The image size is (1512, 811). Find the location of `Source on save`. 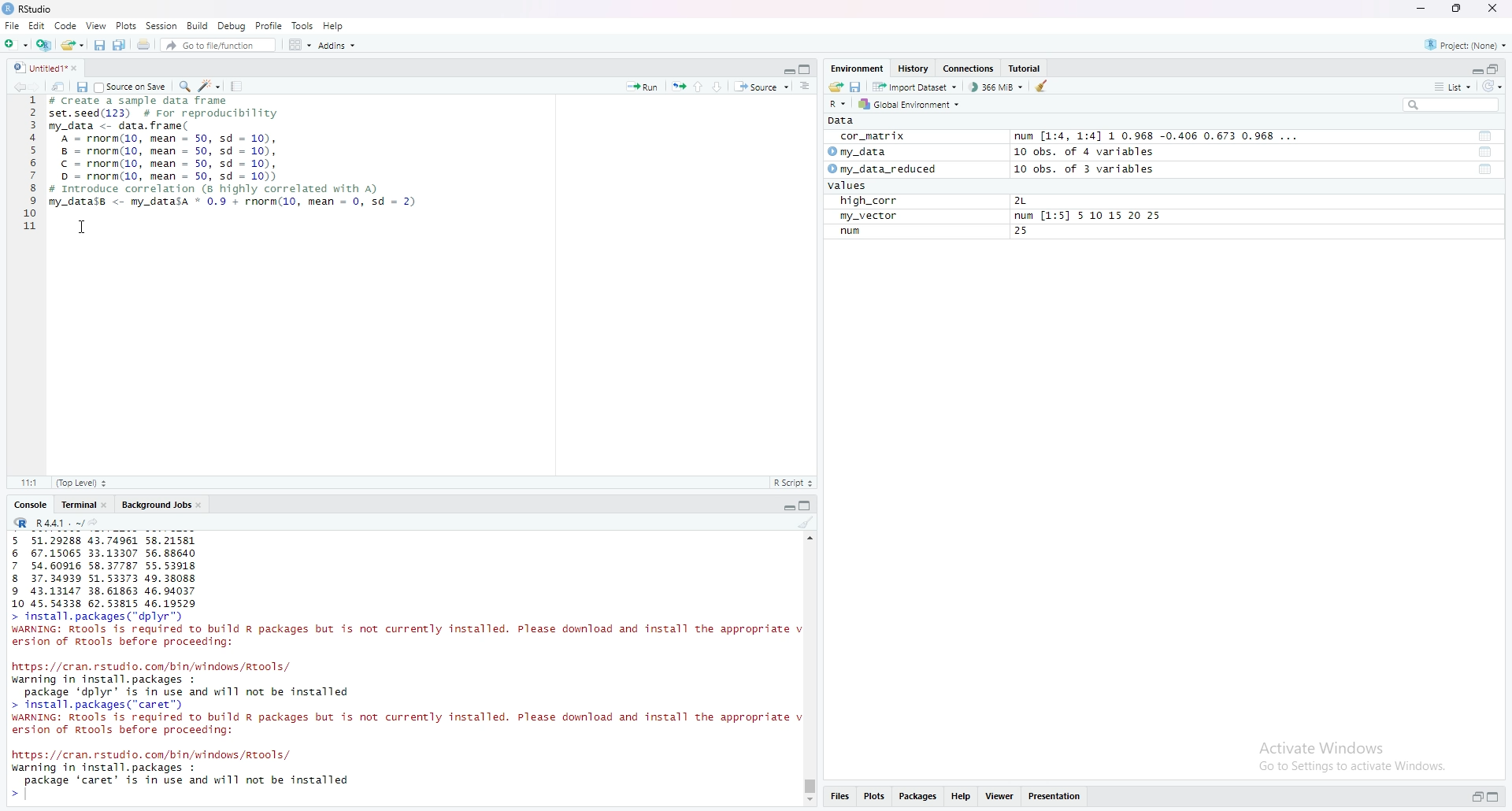

Source on save is located at coordinates (132, 87).